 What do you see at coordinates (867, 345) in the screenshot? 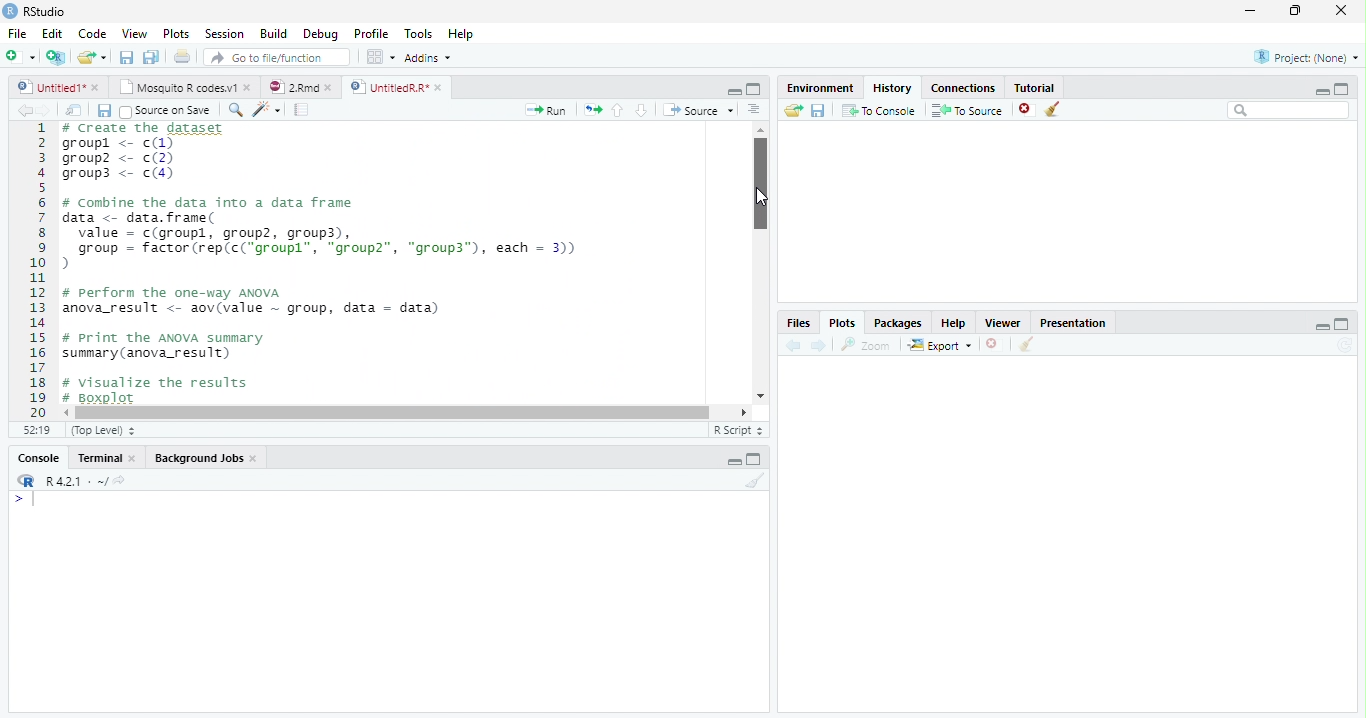
I see `Zoom` at bounding box center [867, 345].